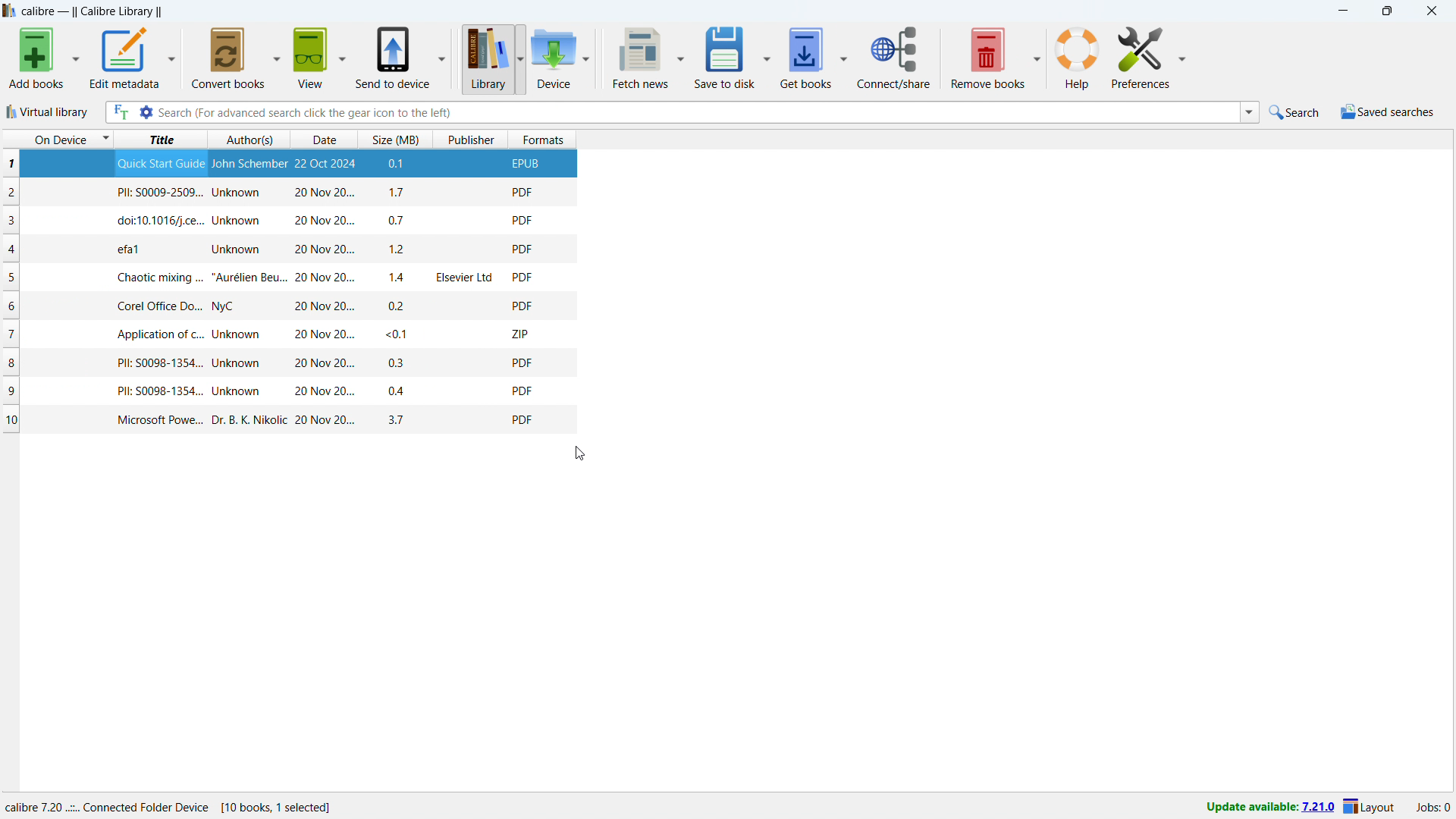 This screenshot has height=819, width=1456. What do you see at coordinates (470, 140) in the screenshot?
I see `sort by publisher` at bounding box center [470, 140].